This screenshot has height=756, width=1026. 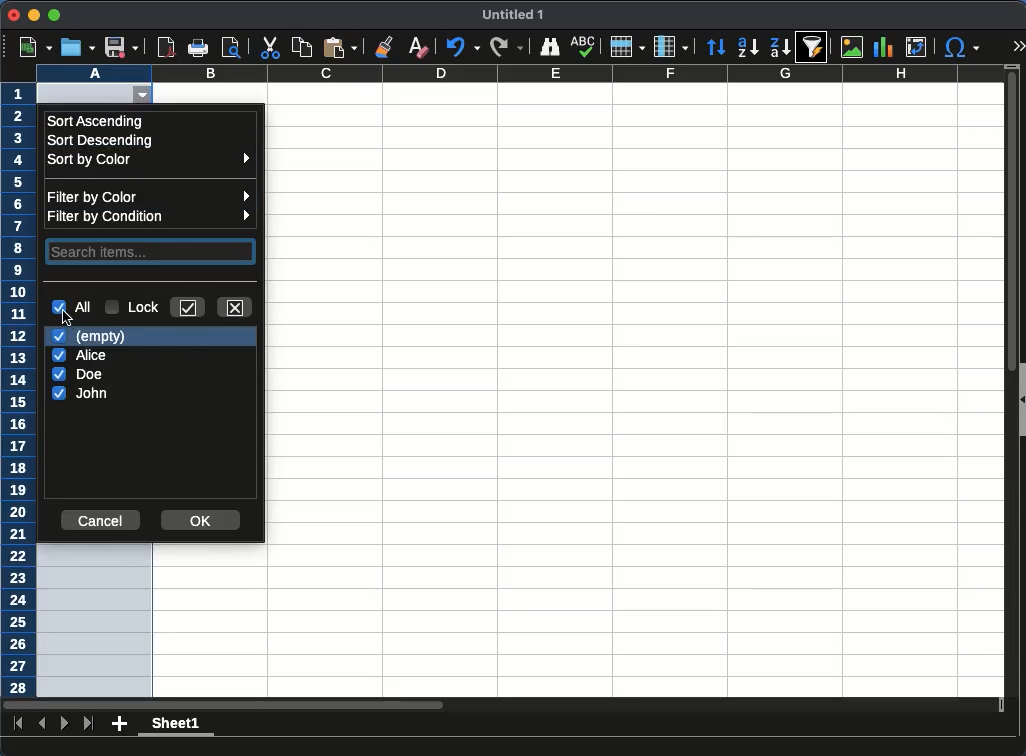 I want to click on chart, so click(x=883, y=47).